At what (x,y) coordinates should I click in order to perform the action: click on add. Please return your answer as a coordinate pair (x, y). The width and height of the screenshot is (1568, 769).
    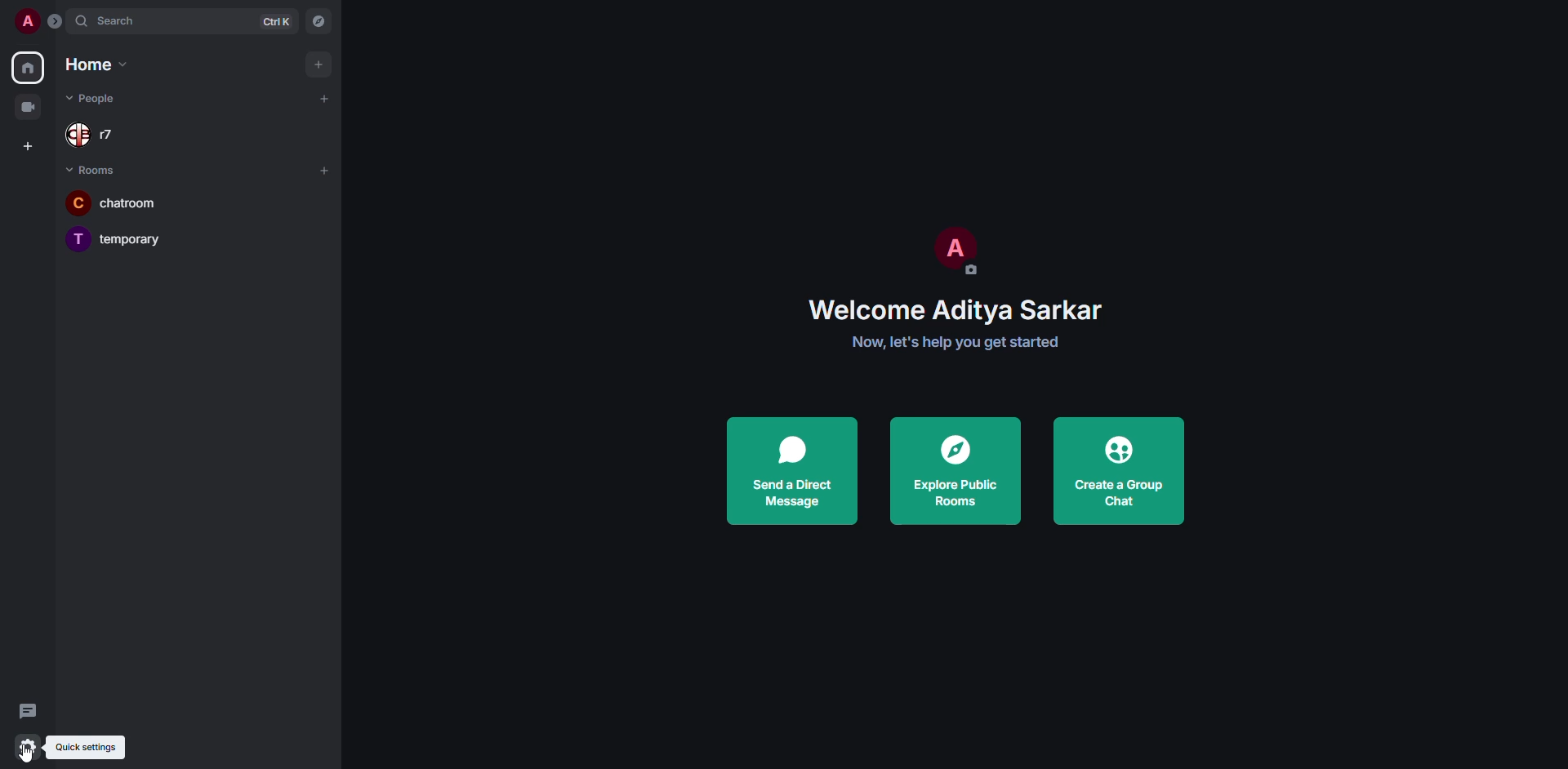
    Looking at the image, I should click on (326, 169).